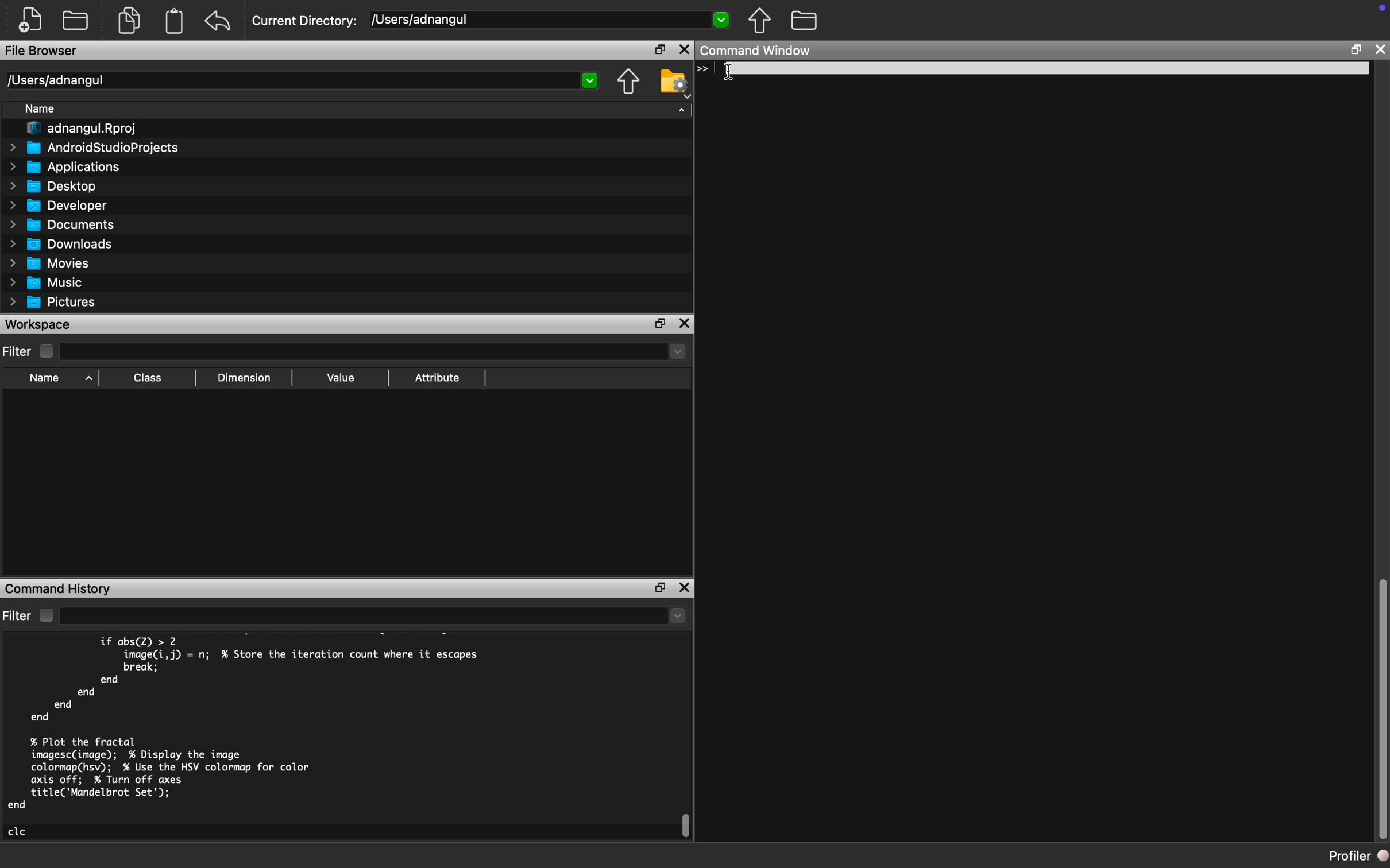 The image size is (1390, 868). I want to click on Cursor, so click(731, 74).